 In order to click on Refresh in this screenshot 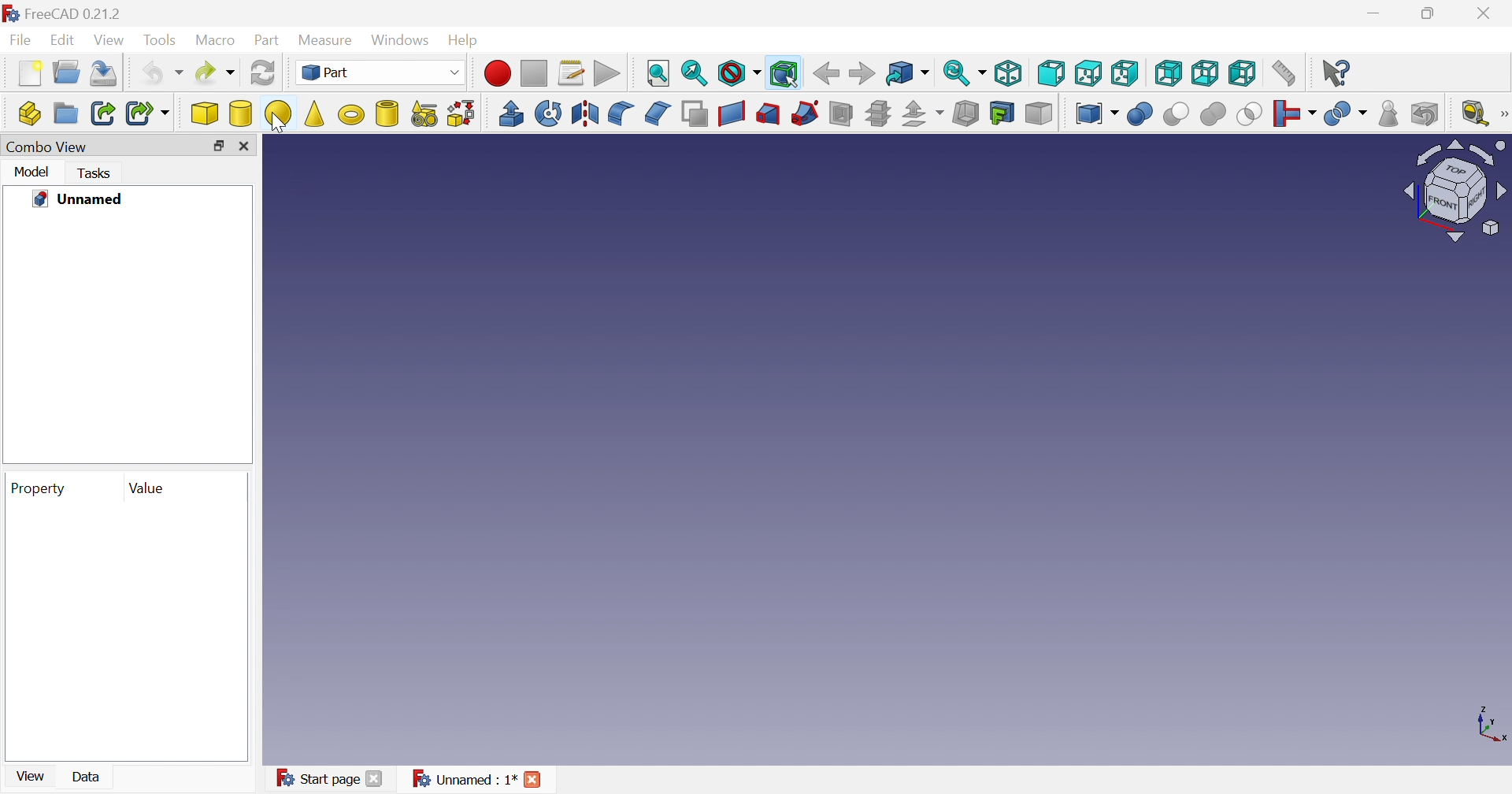, I will do `click(263, 72)`.